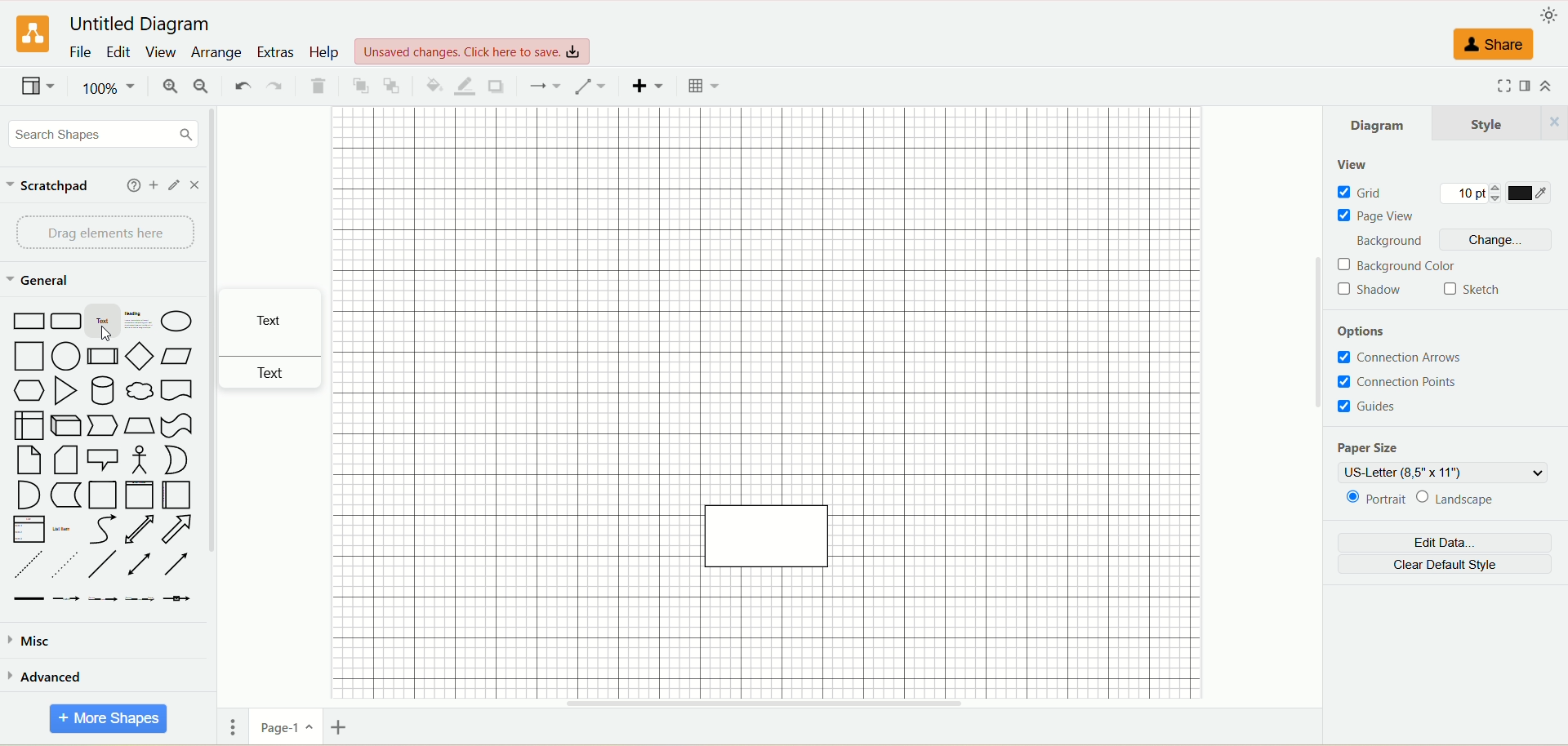 The height and width of the screenshot is (746, 1568). I want to click on process, so click(102, 356).